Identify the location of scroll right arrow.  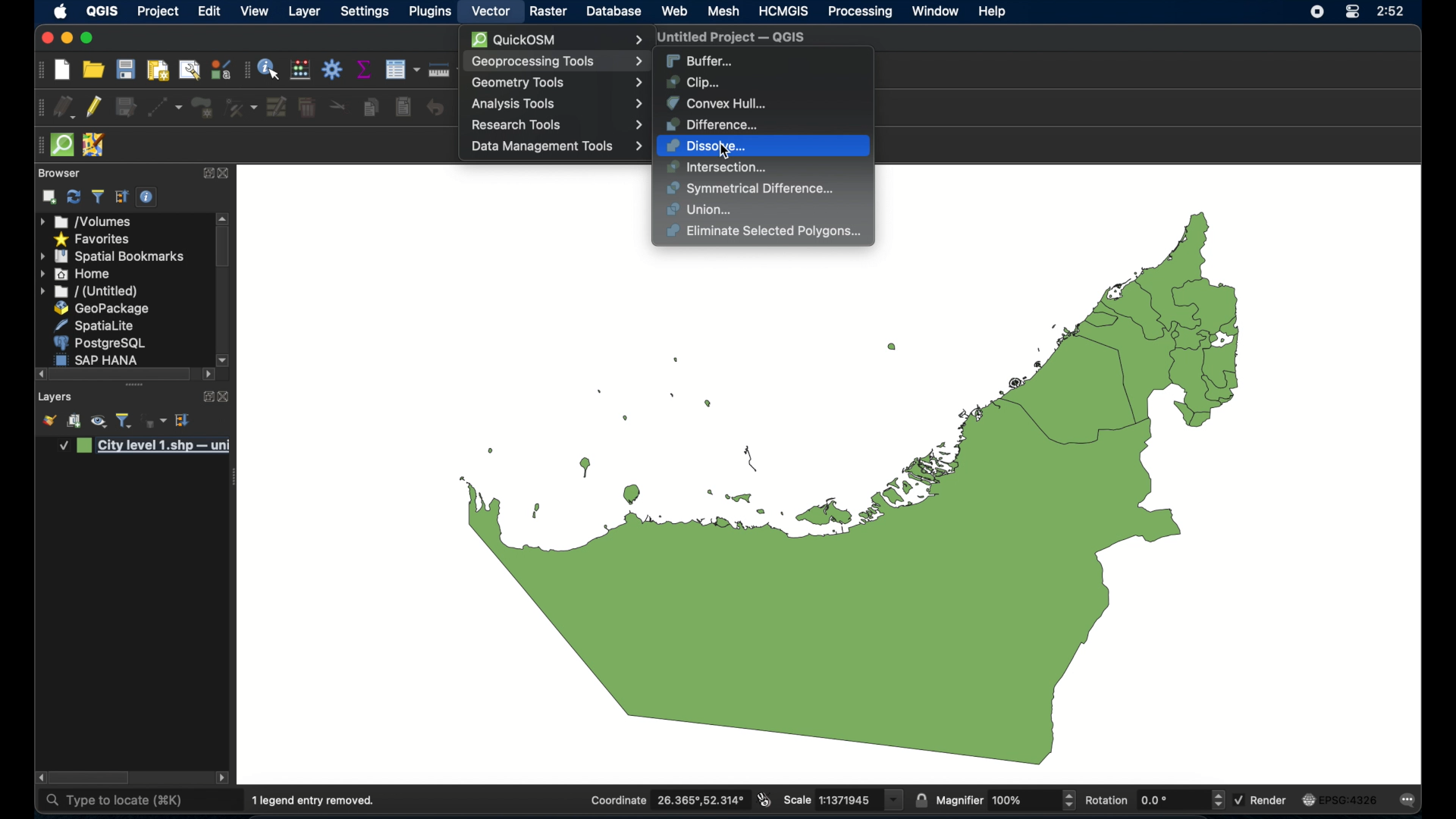
(224, 359).